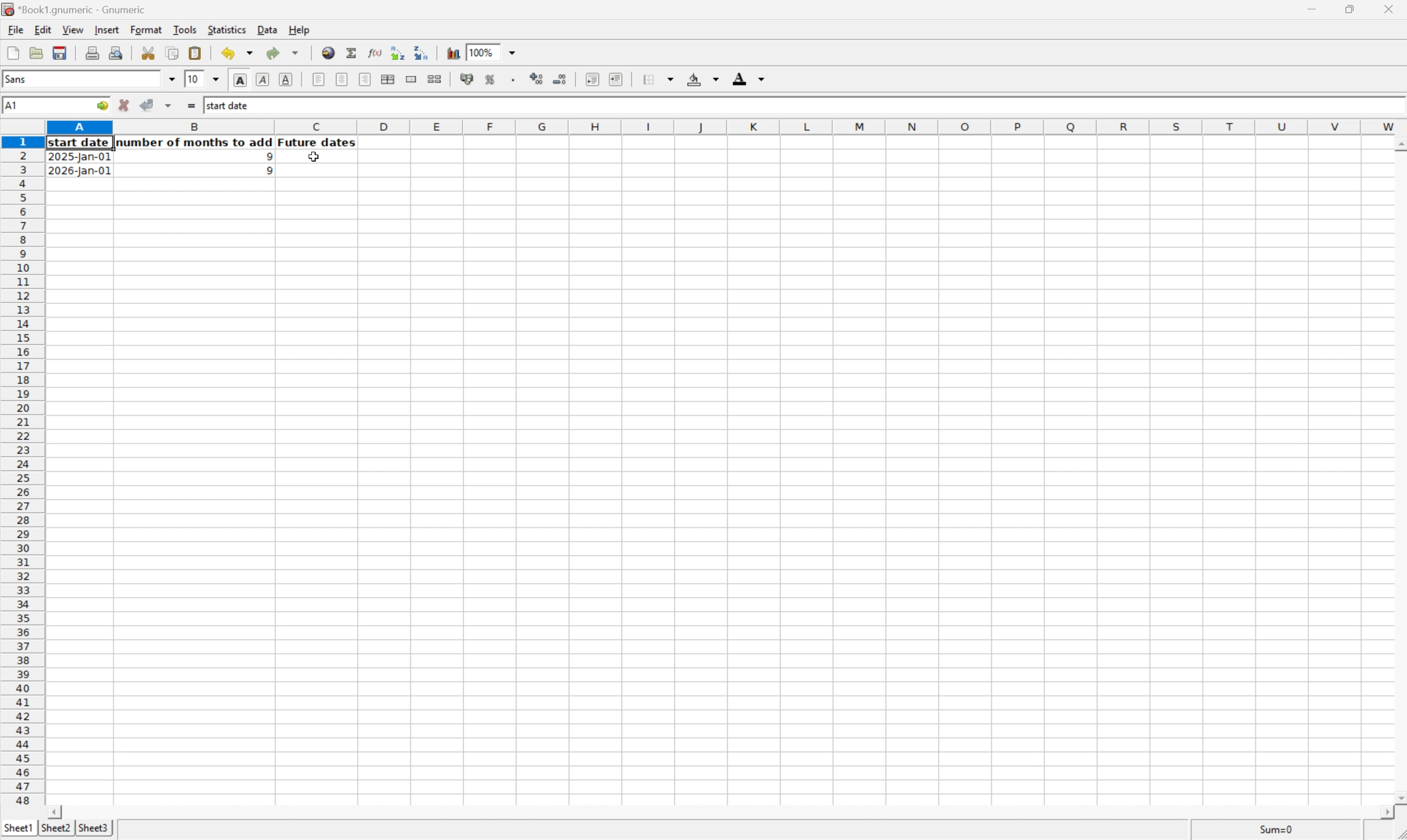  What do you see at coordinates (72, 29) in the screenshot?
I see `View` at bounding box center [72, 29].